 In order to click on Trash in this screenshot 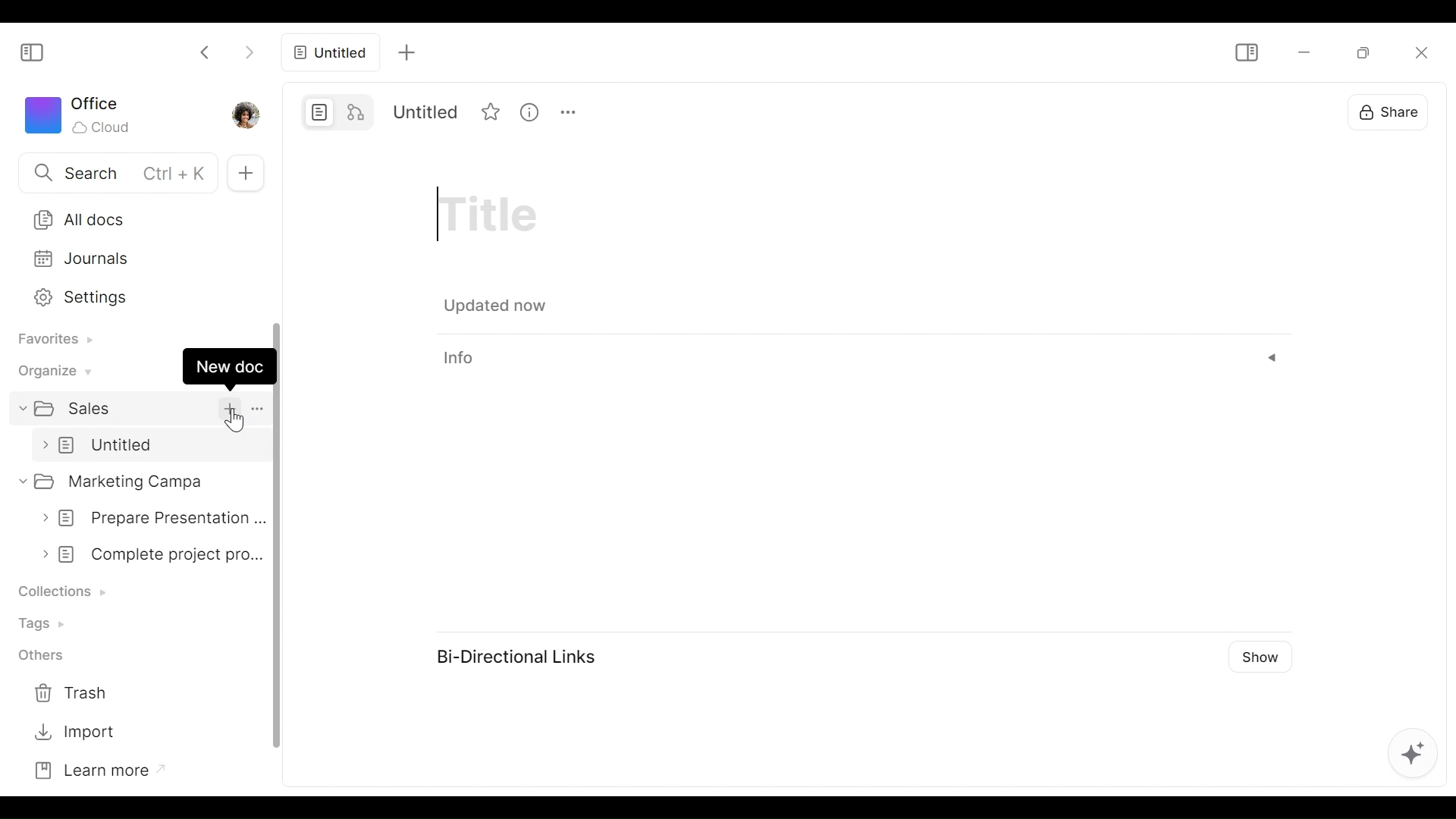, I will do `click(79, 693)`.